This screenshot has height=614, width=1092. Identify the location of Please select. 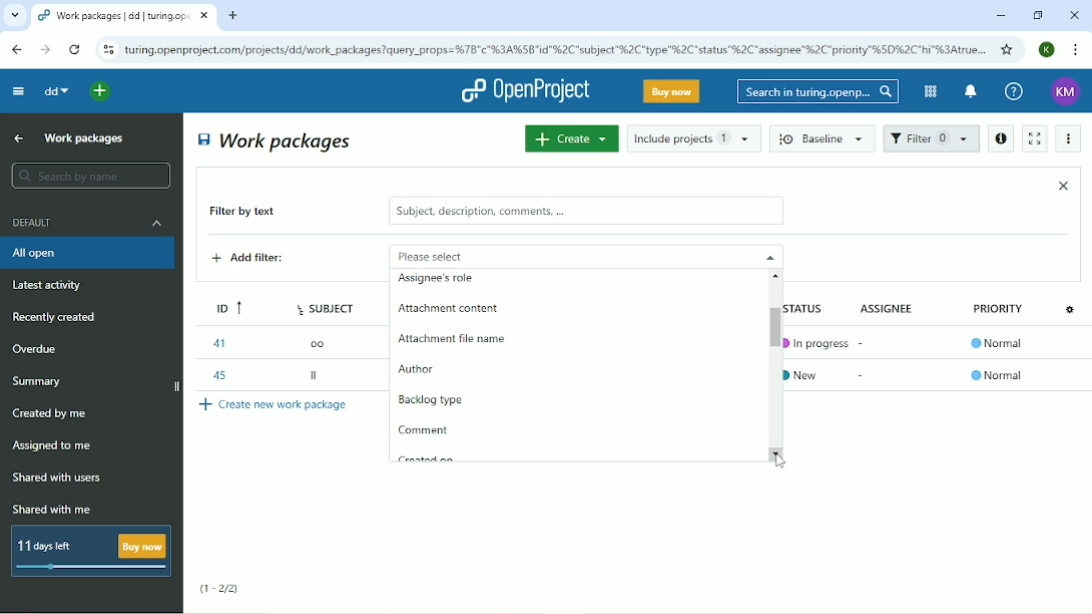
(558, 255).